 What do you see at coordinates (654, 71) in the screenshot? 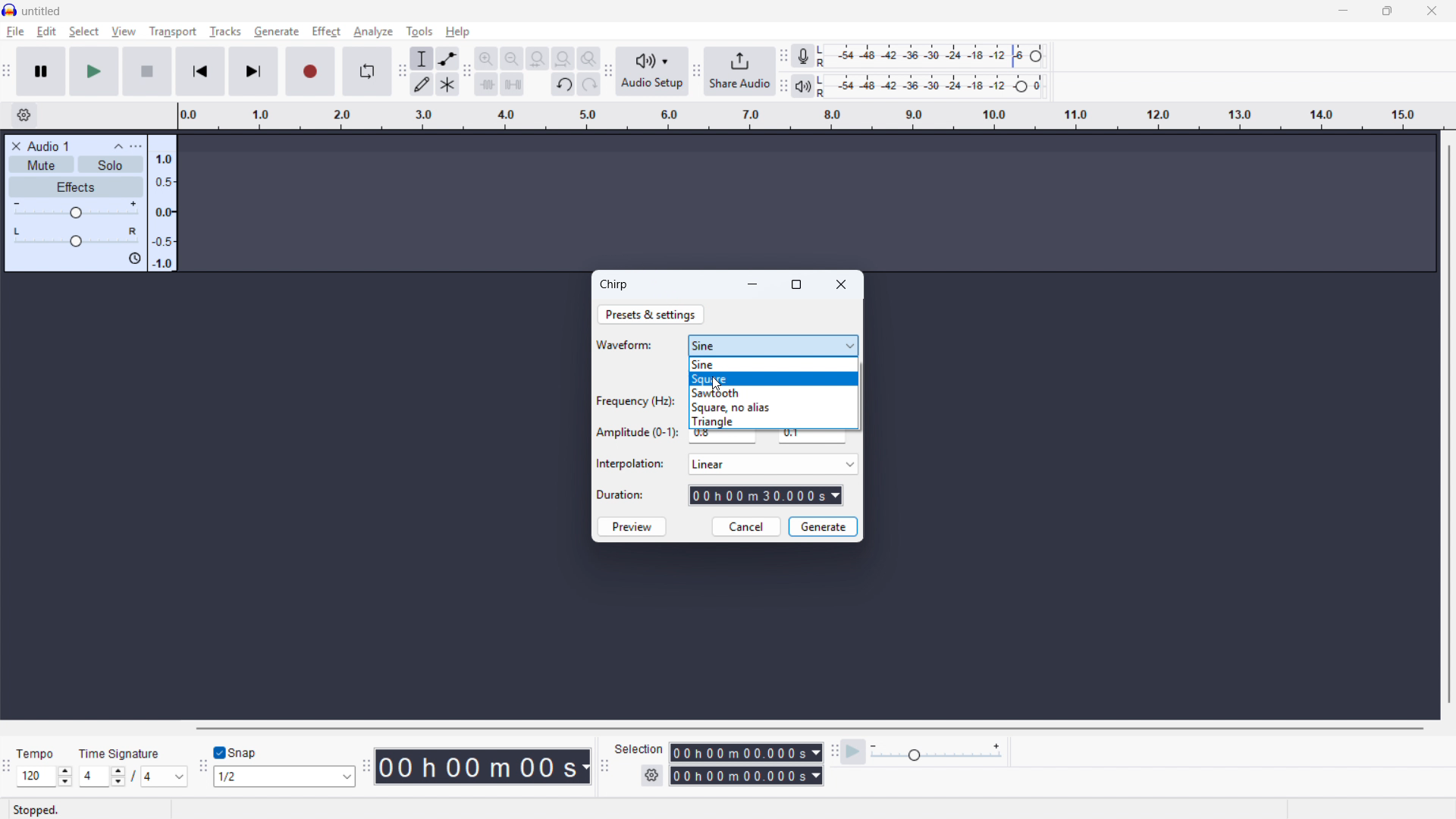
I see `Audio setup ` at bounding box center [654, 71].